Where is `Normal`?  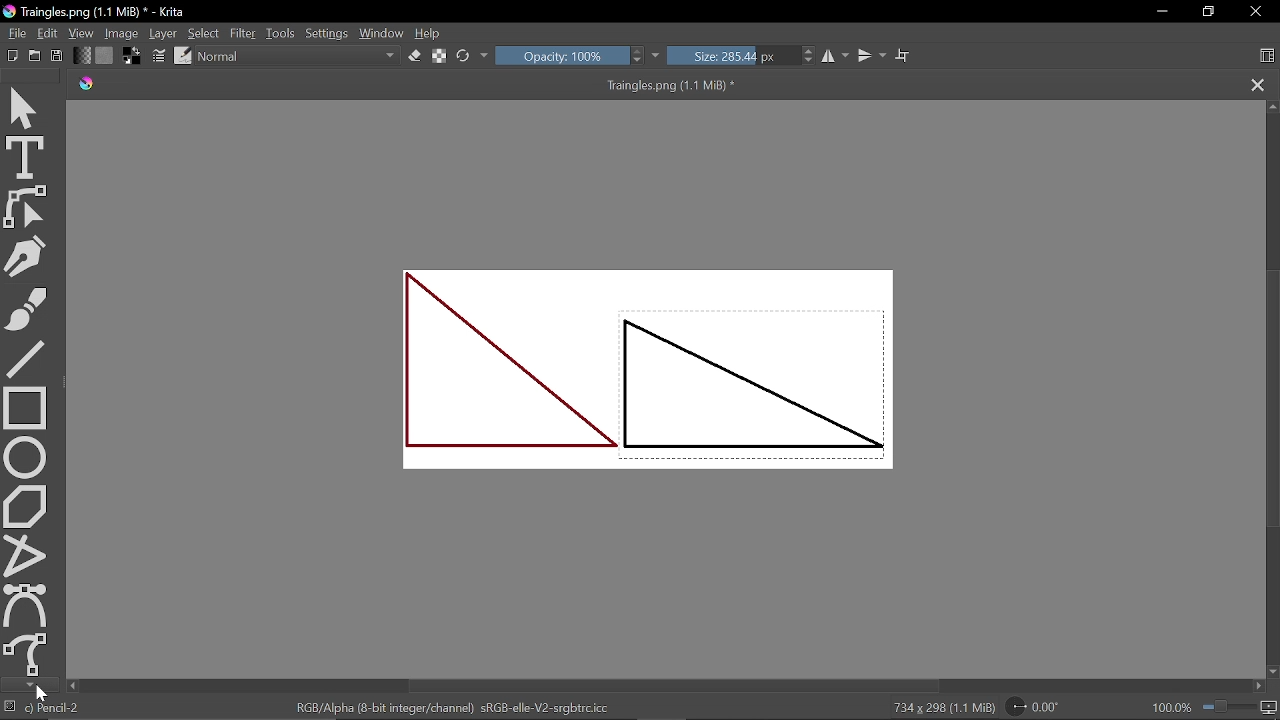
Normal is located at coordinates (299, 58).